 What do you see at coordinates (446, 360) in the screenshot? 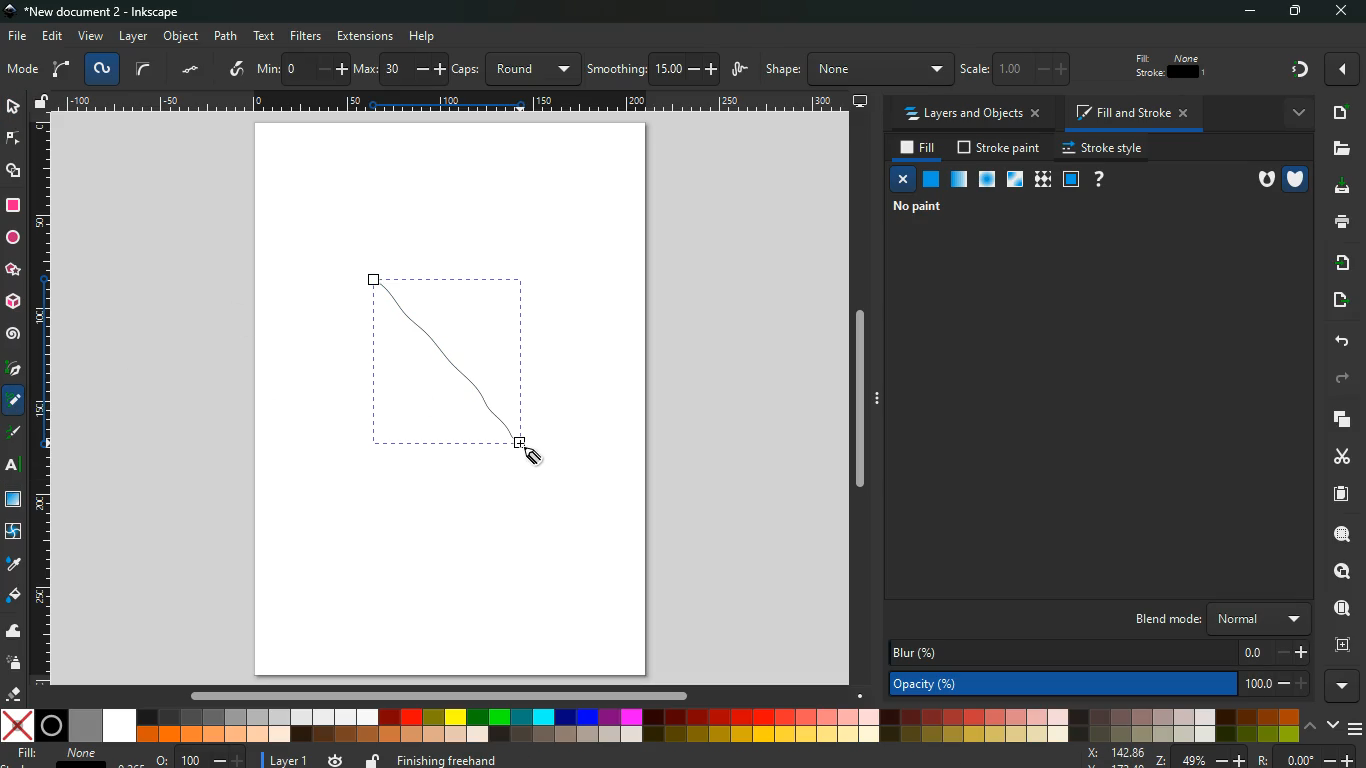
I see `Freehand Line Drawn` at bounding box center [446, 360].